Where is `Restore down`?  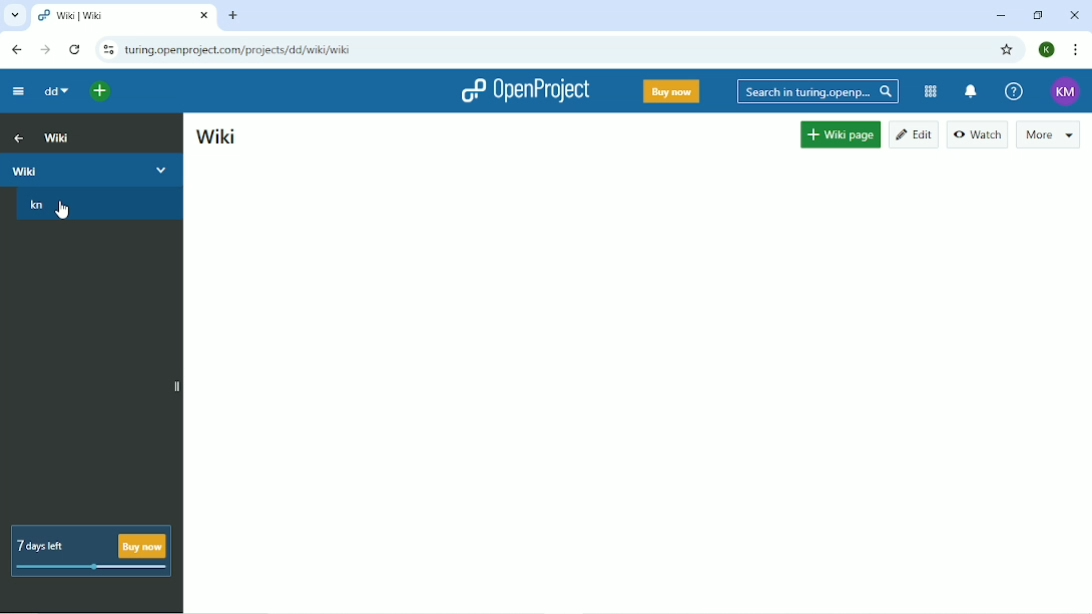 Restore down is located at coordinates (1036, 14).